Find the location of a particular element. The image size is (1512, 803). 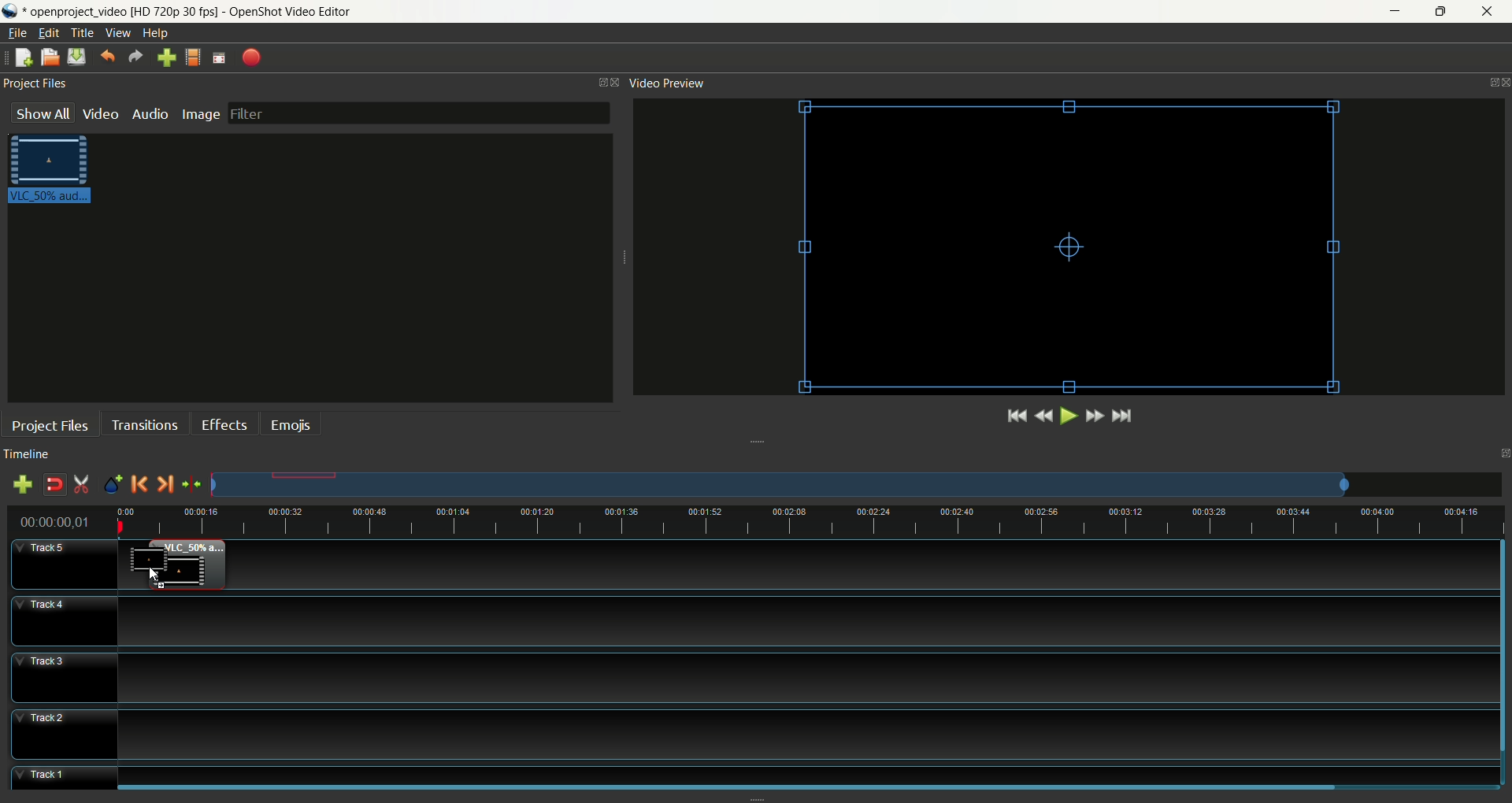

edit is located at coordinates (48, 32).